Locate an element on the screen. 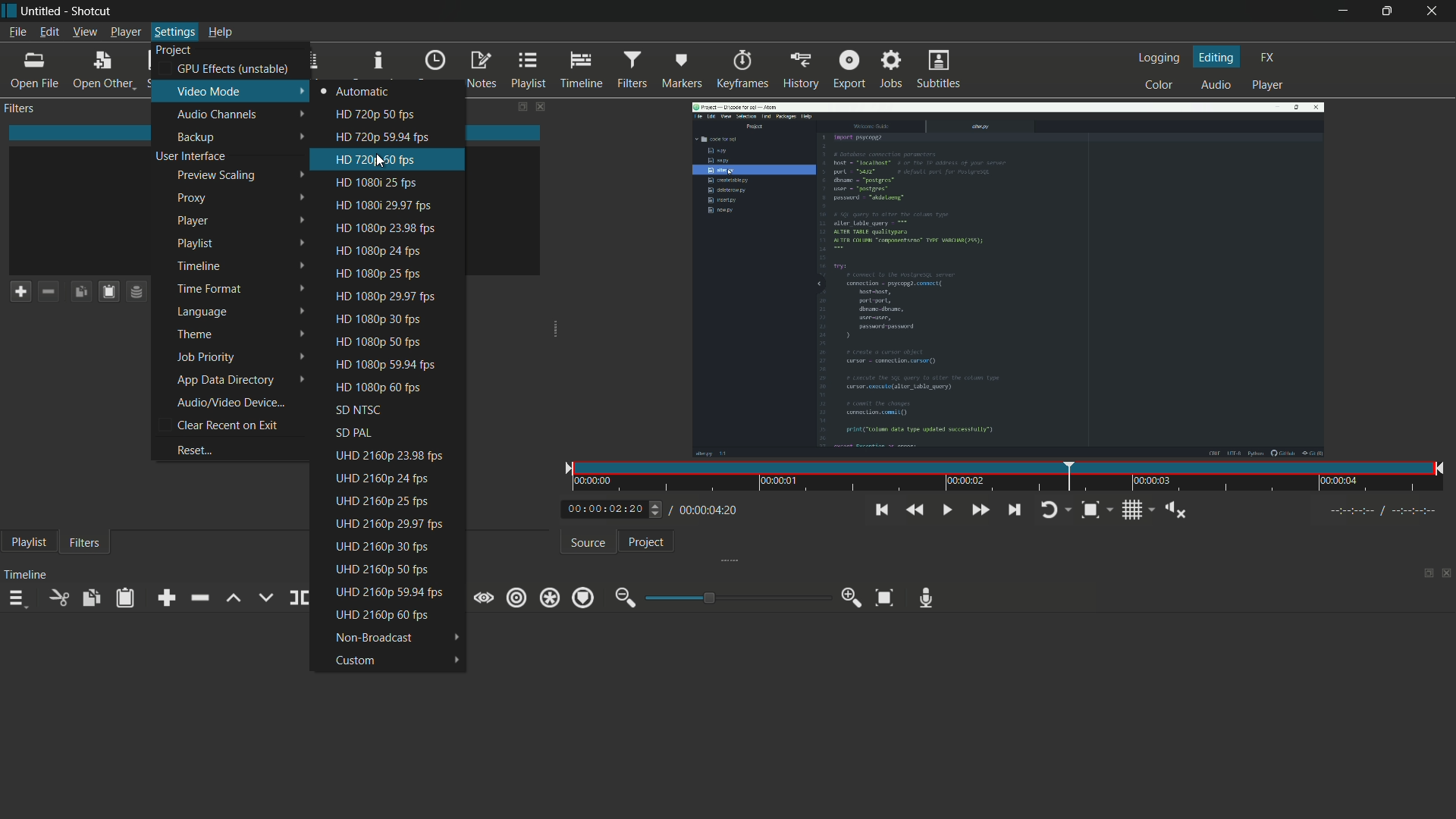 The height and width of the screenshot is (819, 1456). change layout is located at coordinates (1422, 574).